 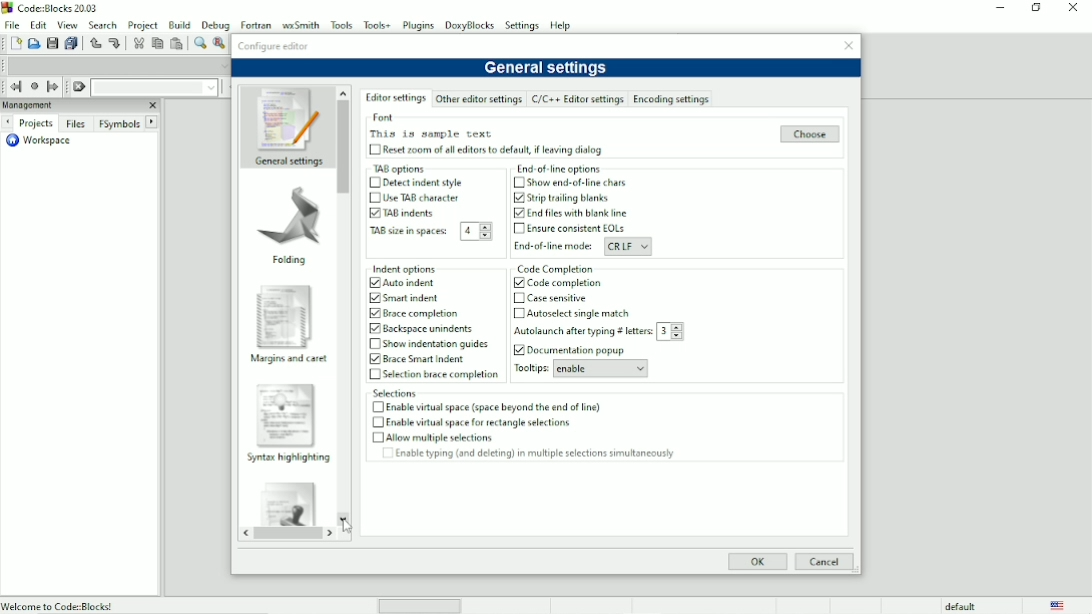 What do you see at coordinates (375, 407) in the screenshot?
I see `` at bounding box center [375, 407].